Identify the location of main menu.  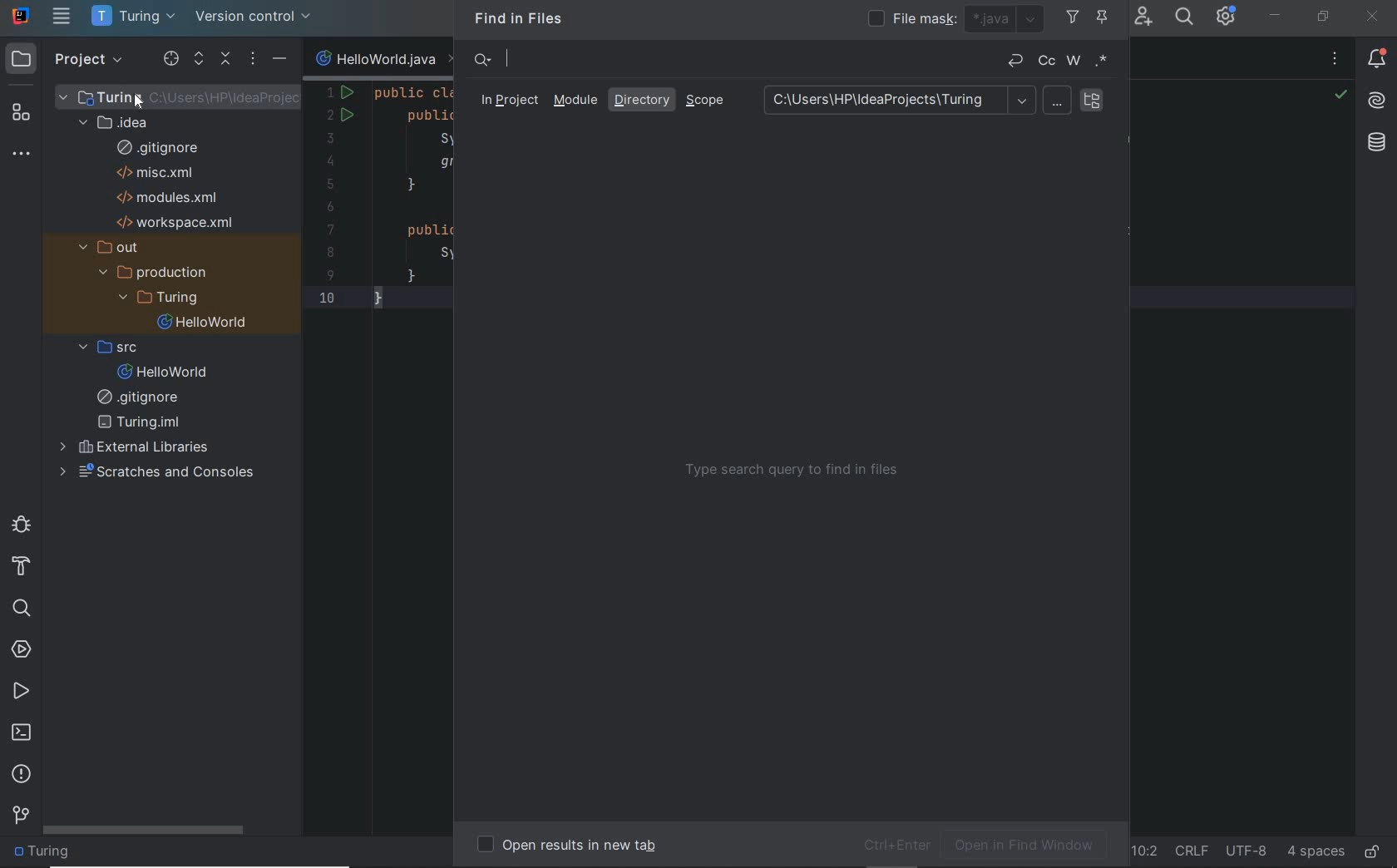
(62, 16).